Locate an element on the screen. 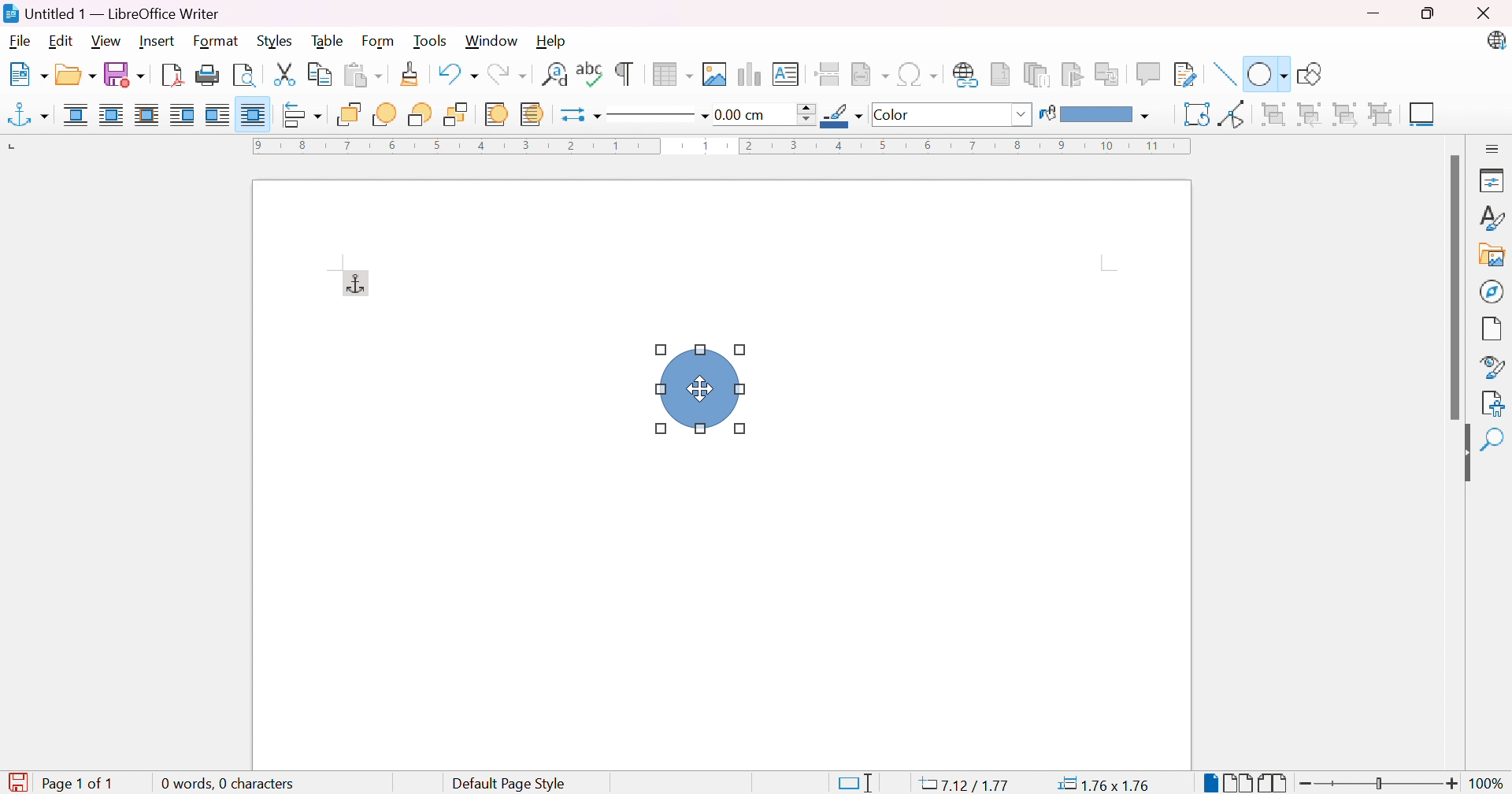 This screenshot has width=1512, height=794. Insert line is located at coordinates (1226, 74).